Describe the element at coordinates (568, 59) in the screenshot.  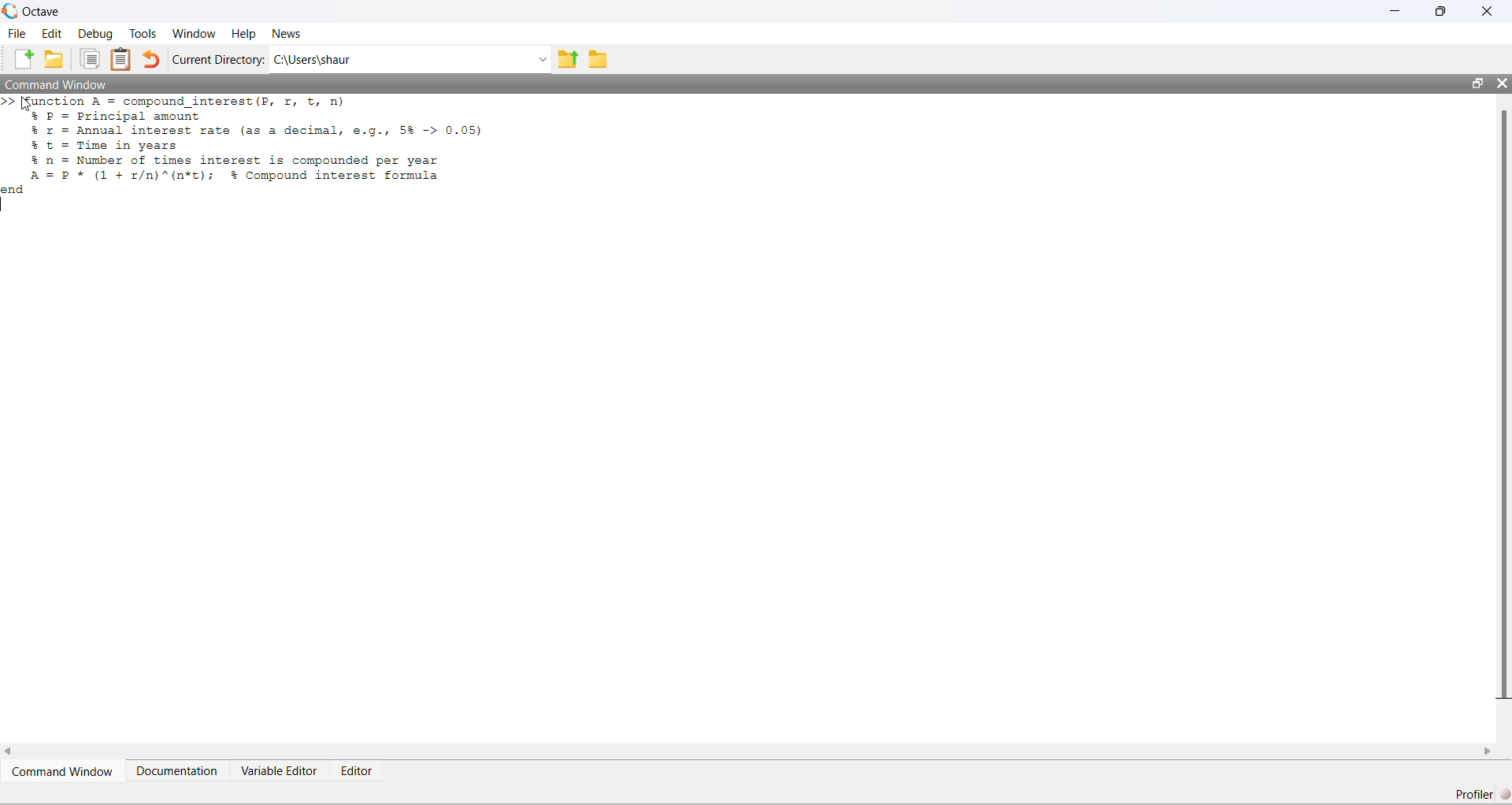
I see `Previous Folder` at that location.